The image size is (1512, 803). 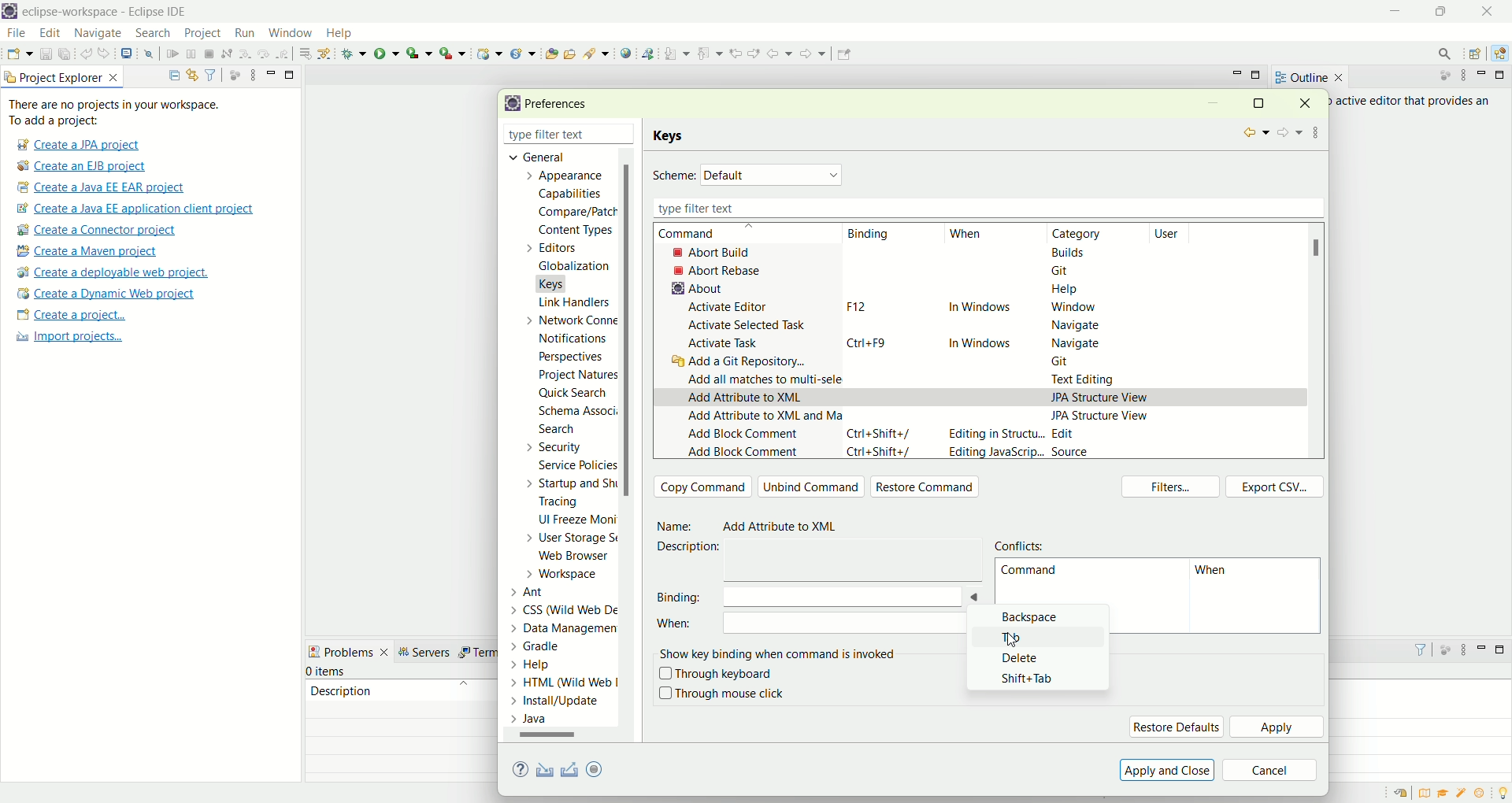 What do you see at coordinates (1069, 252) in the screenshot?
I see `builds` at bounding box center [1069, 252].